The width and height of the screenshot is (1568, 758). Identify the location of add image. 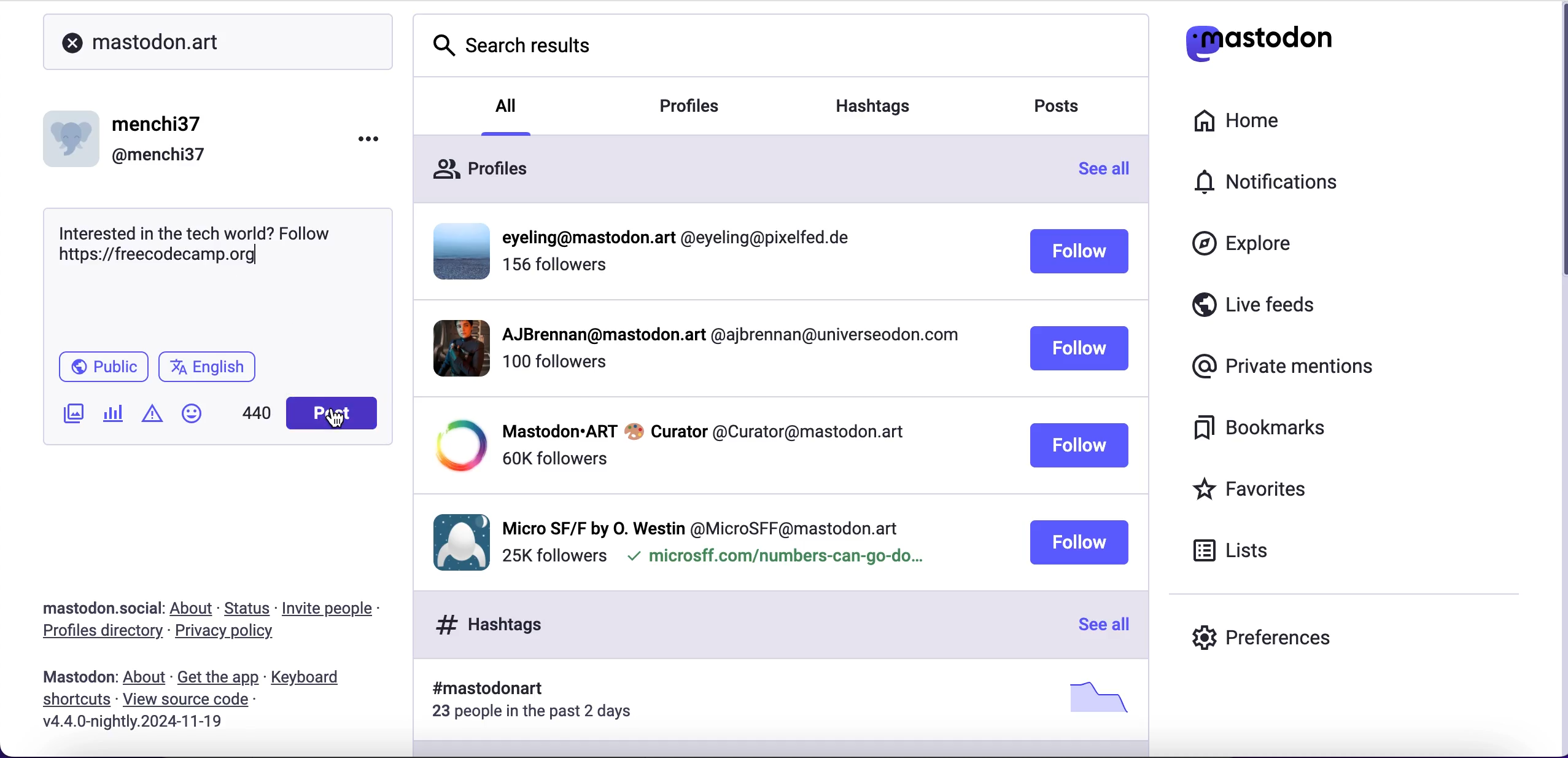
(75, 417).